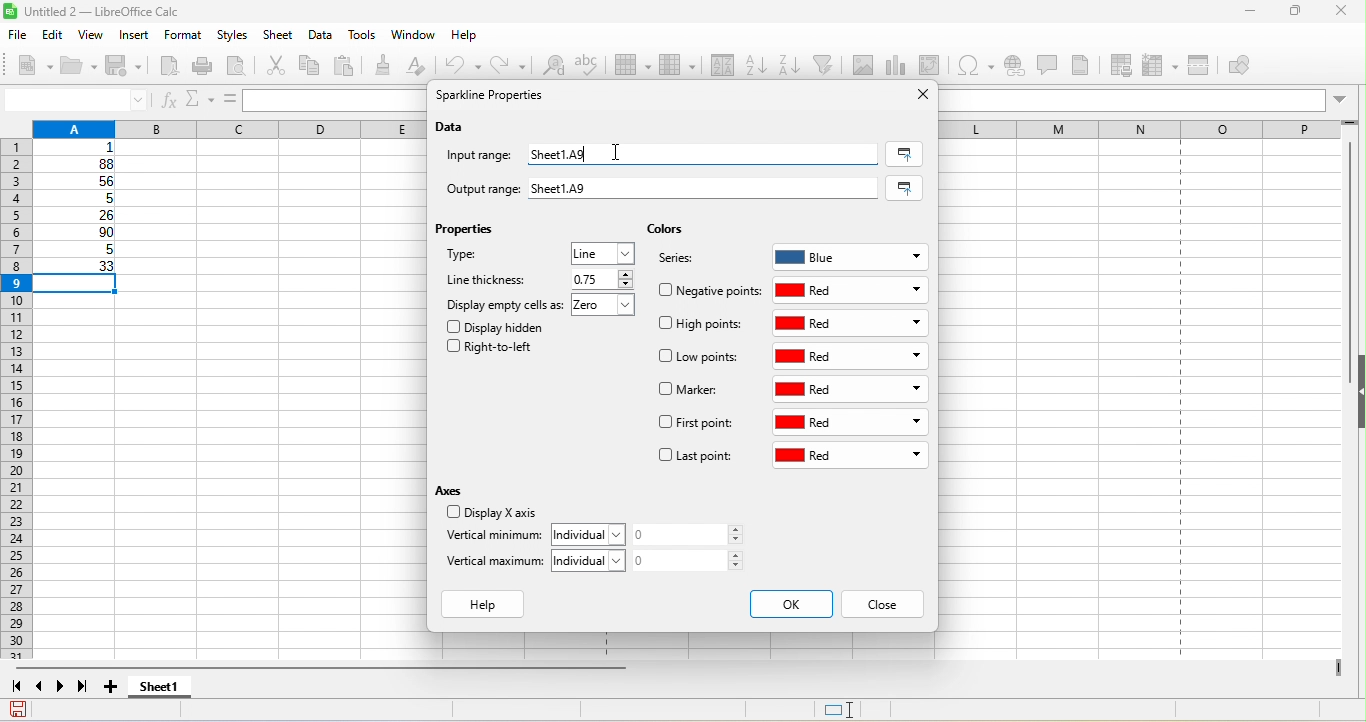 The width and height of the screenshot is (1366, 722). I want to click on scroll to previous sheet, so click(41, 689).